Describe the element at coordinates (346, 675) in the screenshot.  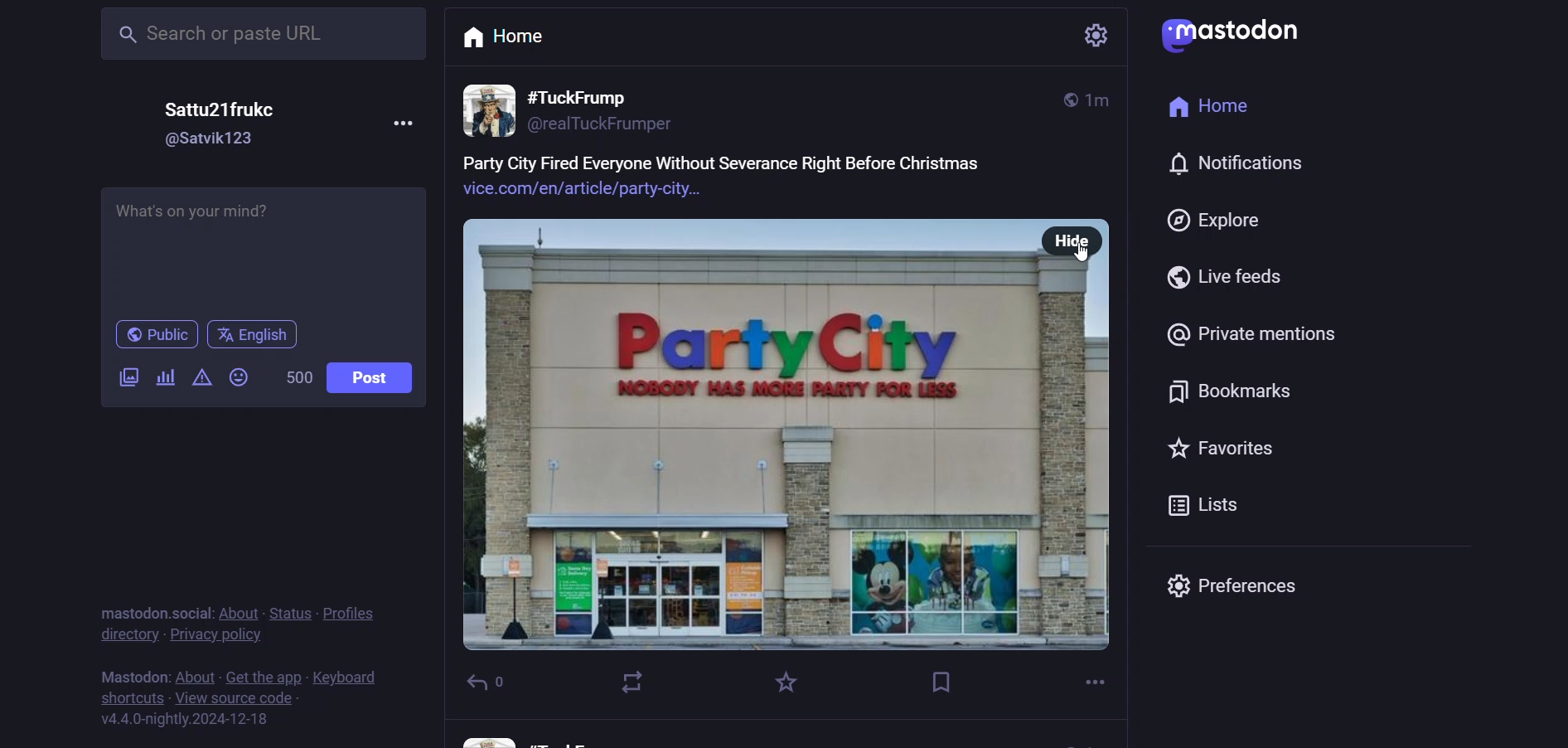
I see `Keyboard` at that location.